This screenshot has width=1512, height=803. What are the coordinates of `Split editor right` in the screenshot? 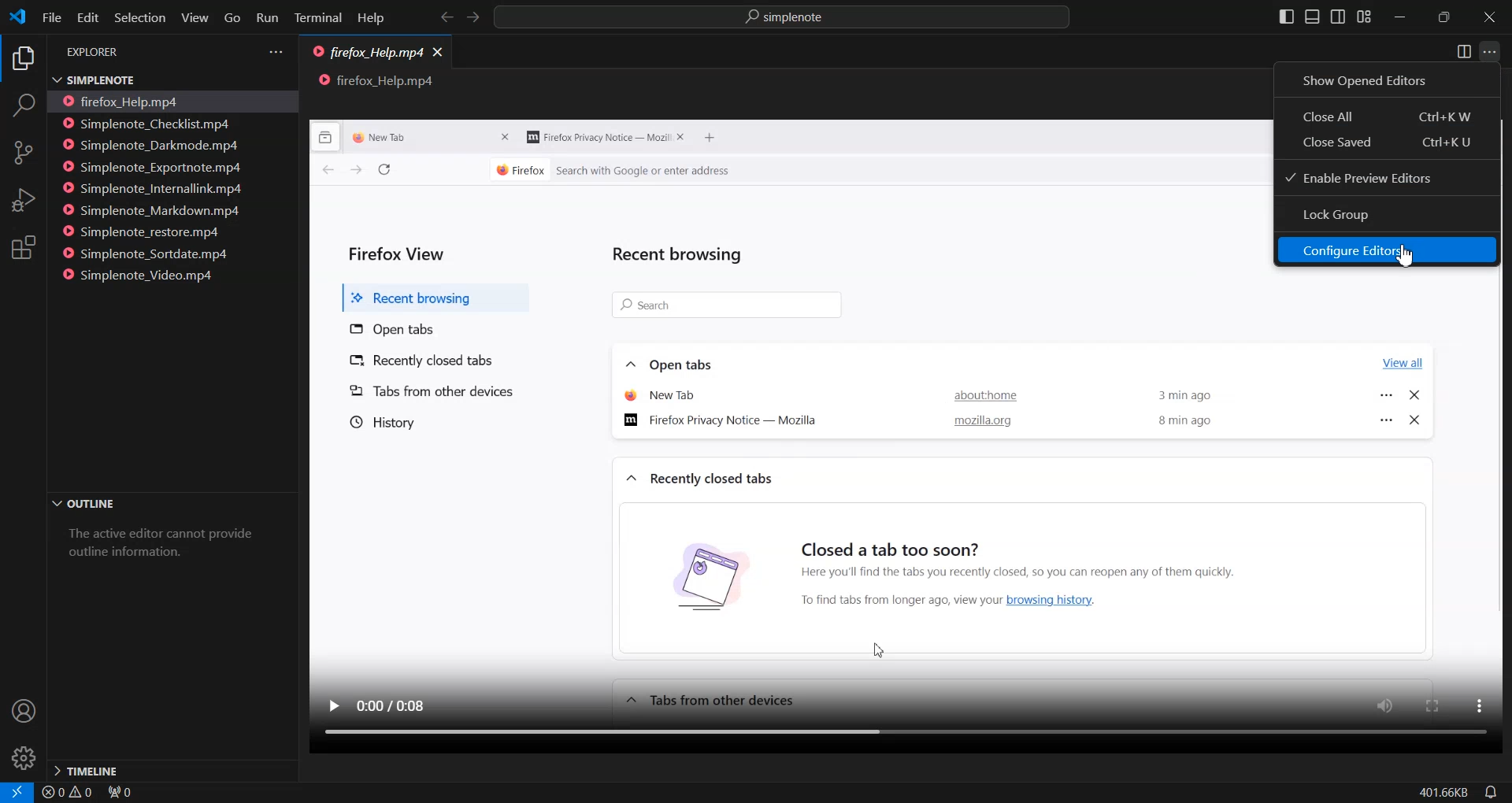 It's located at (1464, 52).